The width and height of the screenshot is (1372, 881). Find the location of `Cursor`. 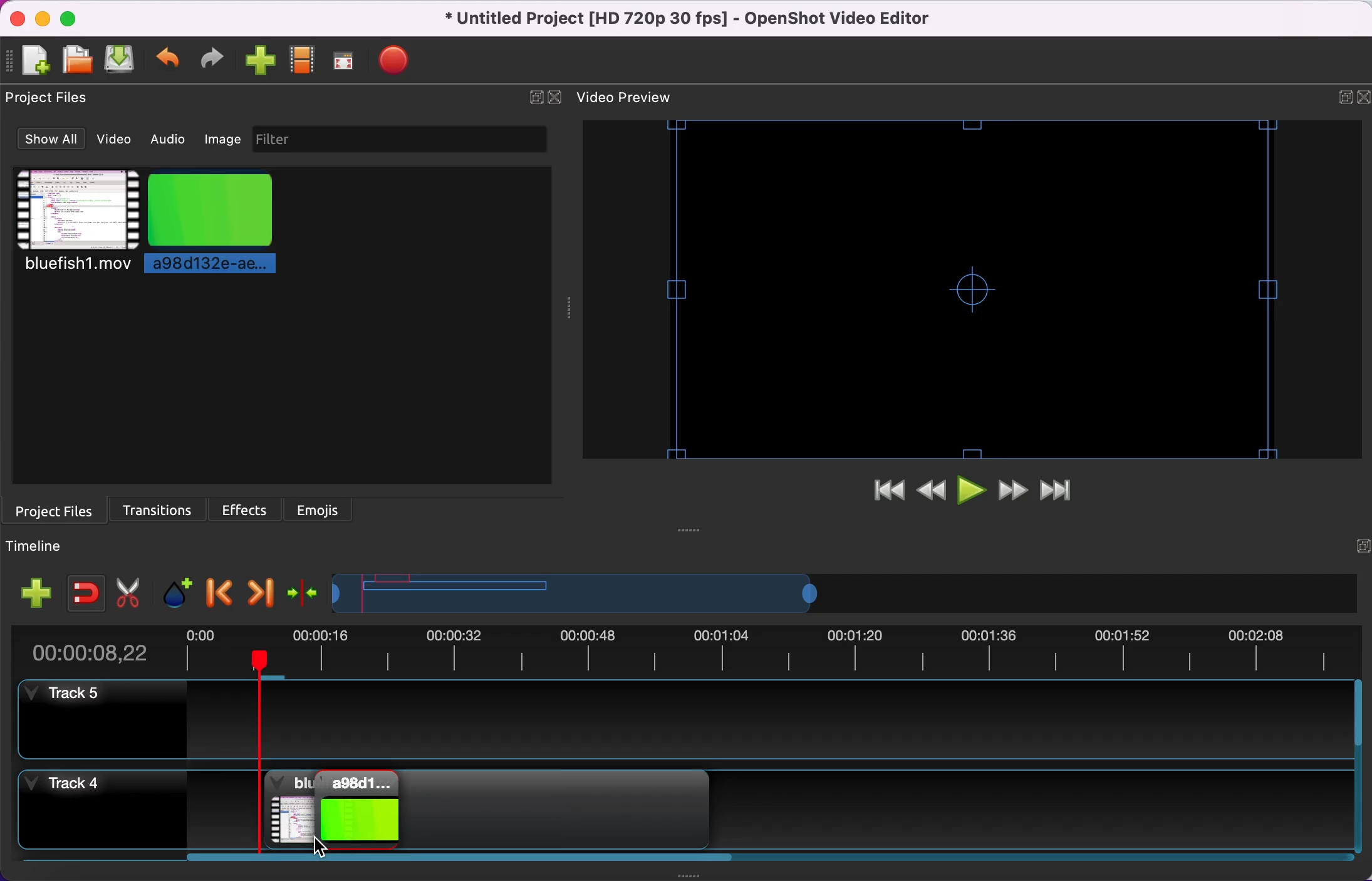

Cursor is located at coordinates (324, 850).